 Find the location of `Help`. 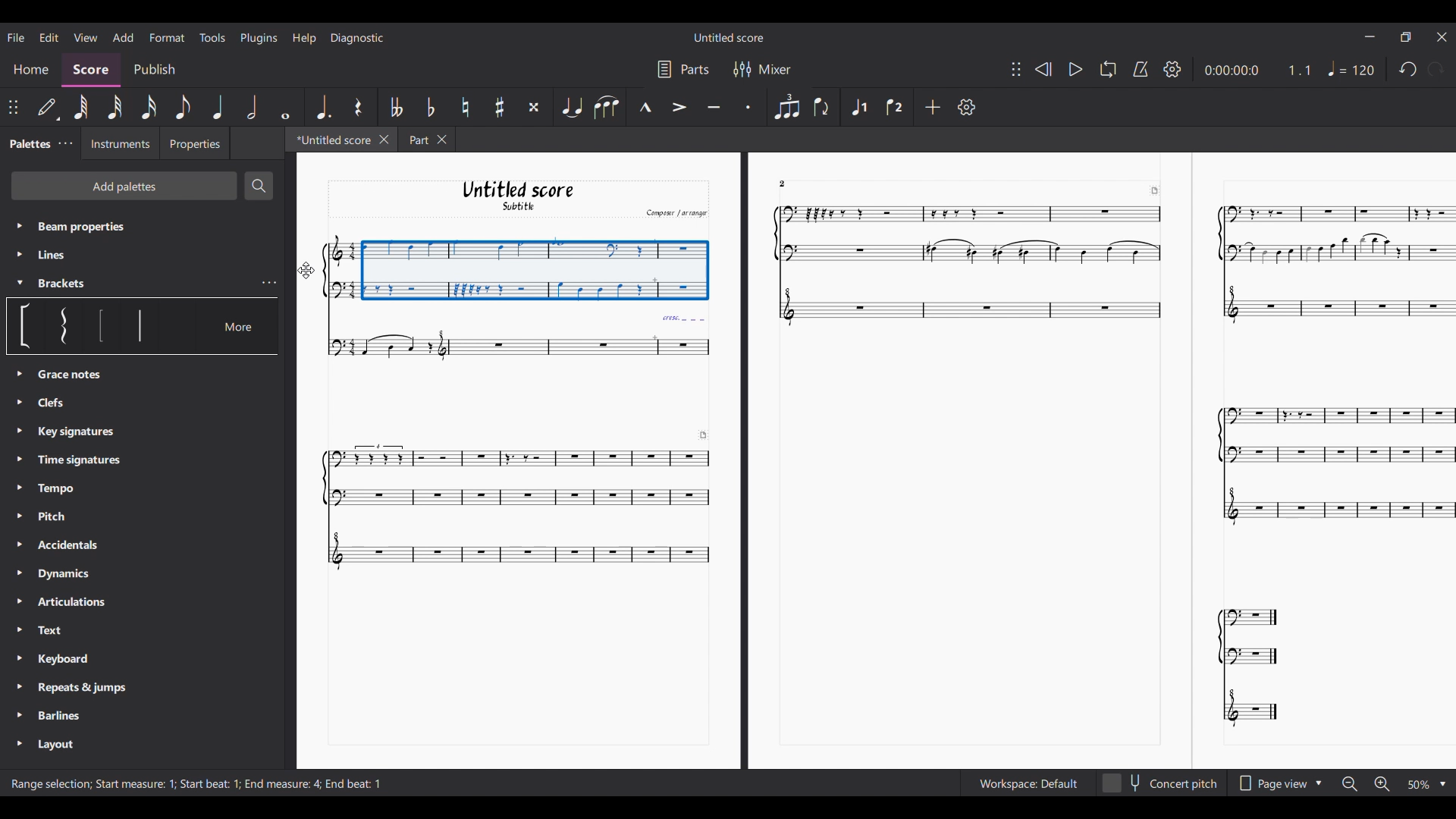

Help is located at coordinates (303, 39).